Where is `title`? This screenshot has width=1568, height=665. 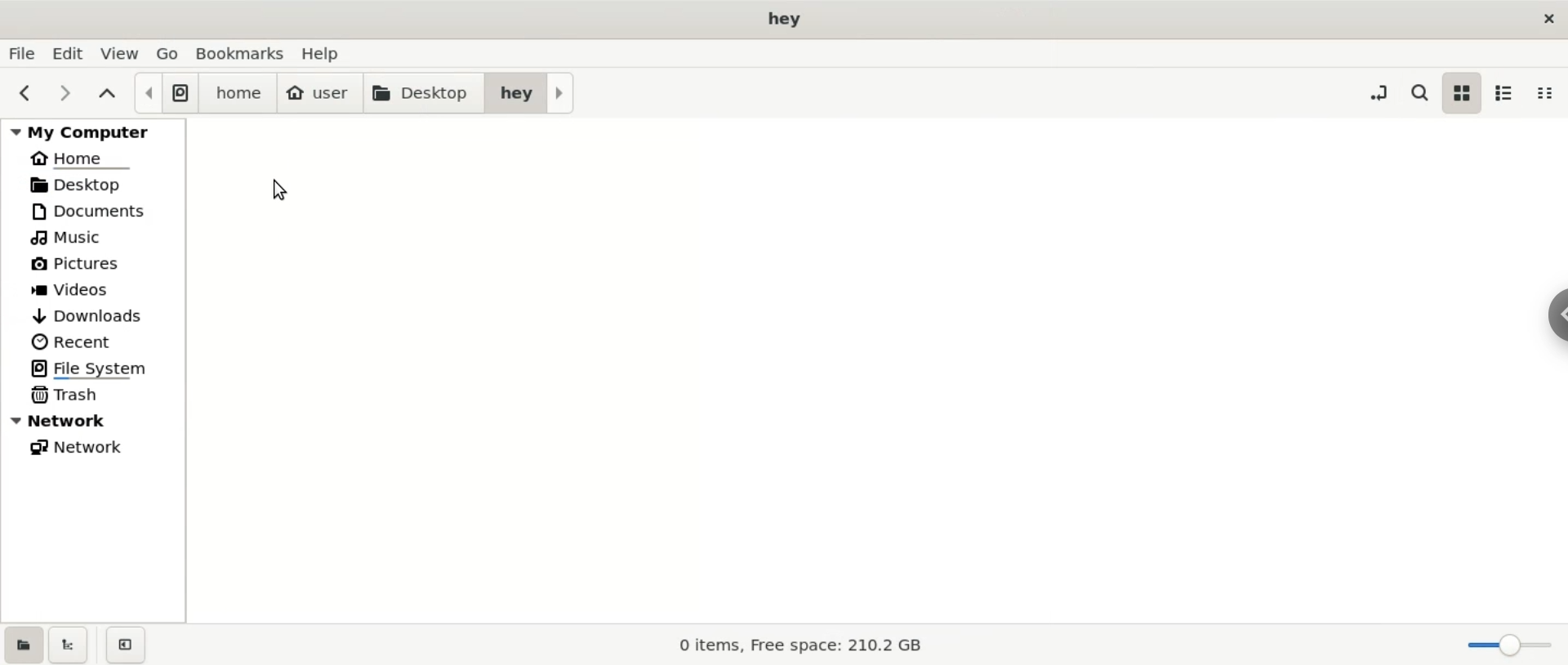 title is located at coordinates (784, 19).